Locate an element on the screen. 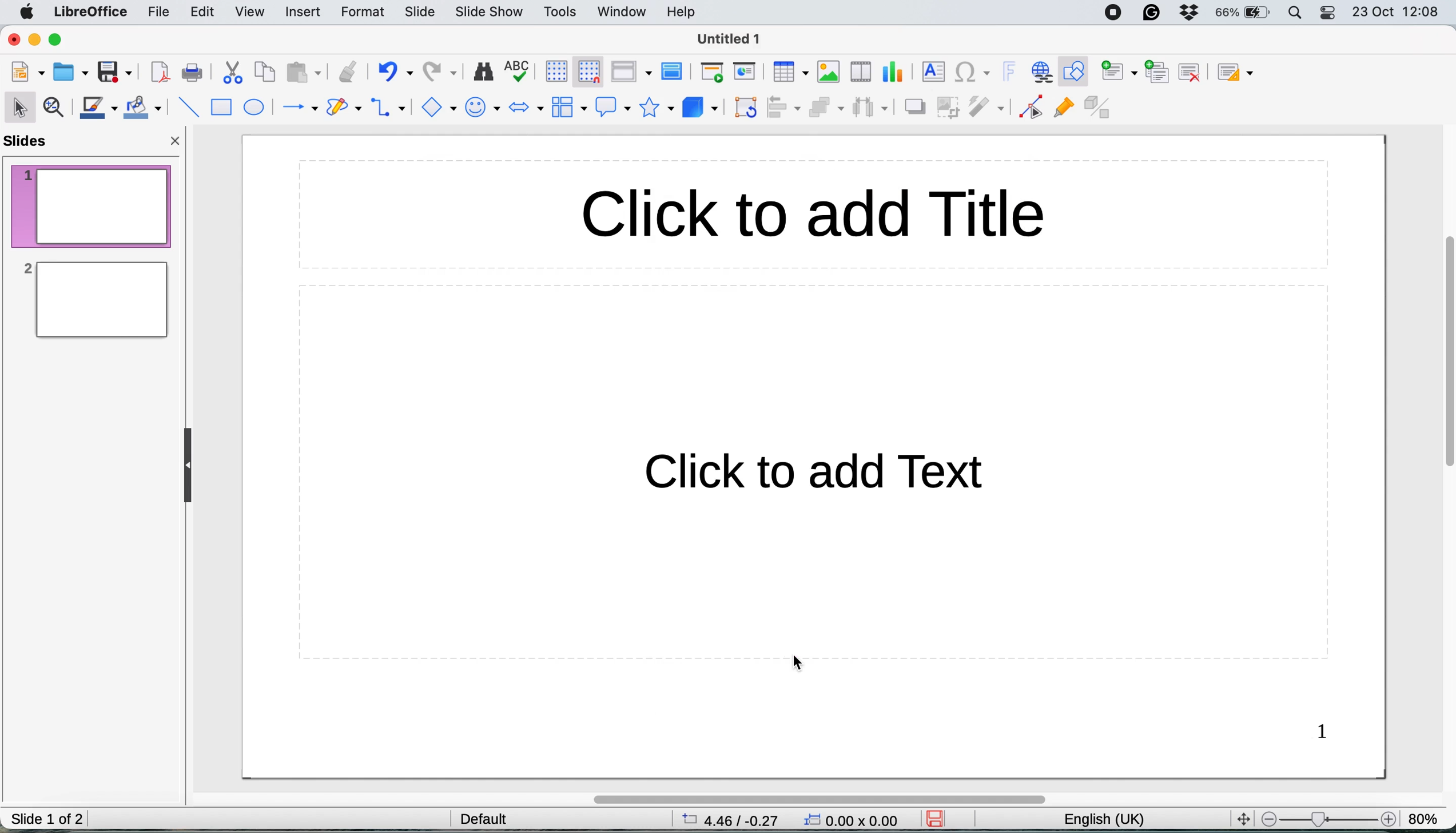 This screenshot has width=1456, height=833. screen recorder is located at coordinates (1117, 13).